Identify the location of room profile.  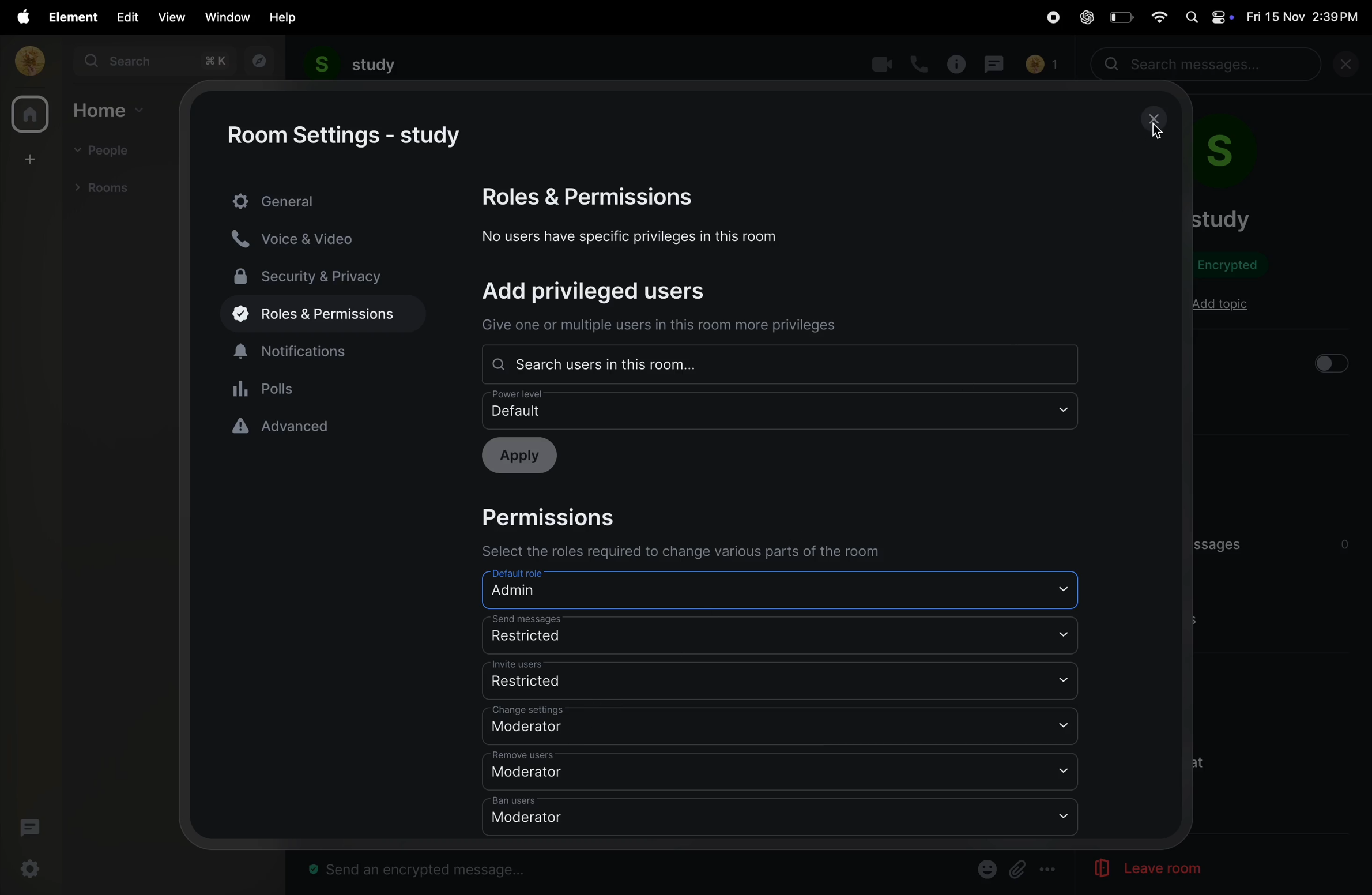
(1241, 156).